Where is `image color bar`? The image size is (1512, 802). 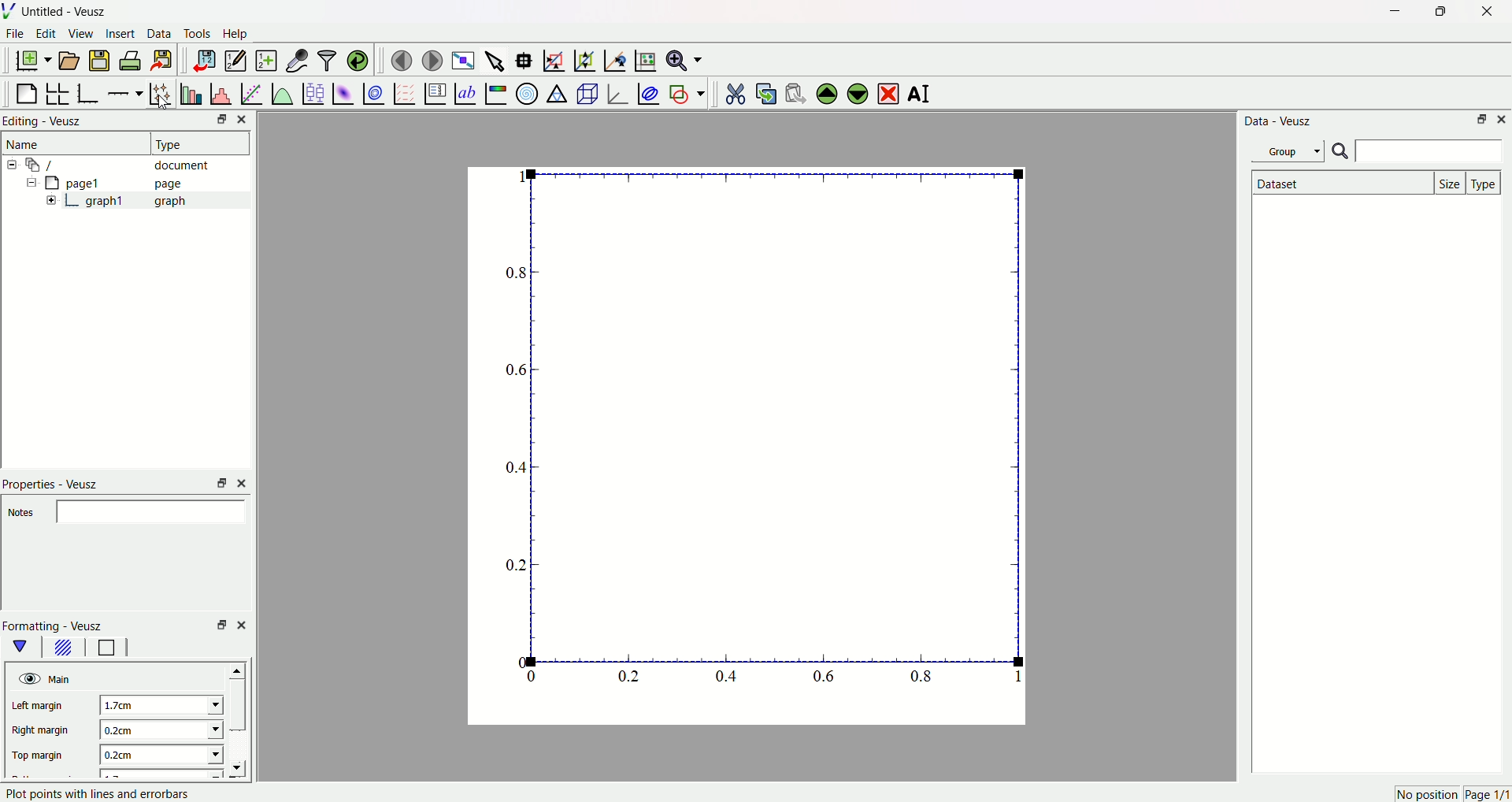
image color bar is located at coordinates (495, 93).